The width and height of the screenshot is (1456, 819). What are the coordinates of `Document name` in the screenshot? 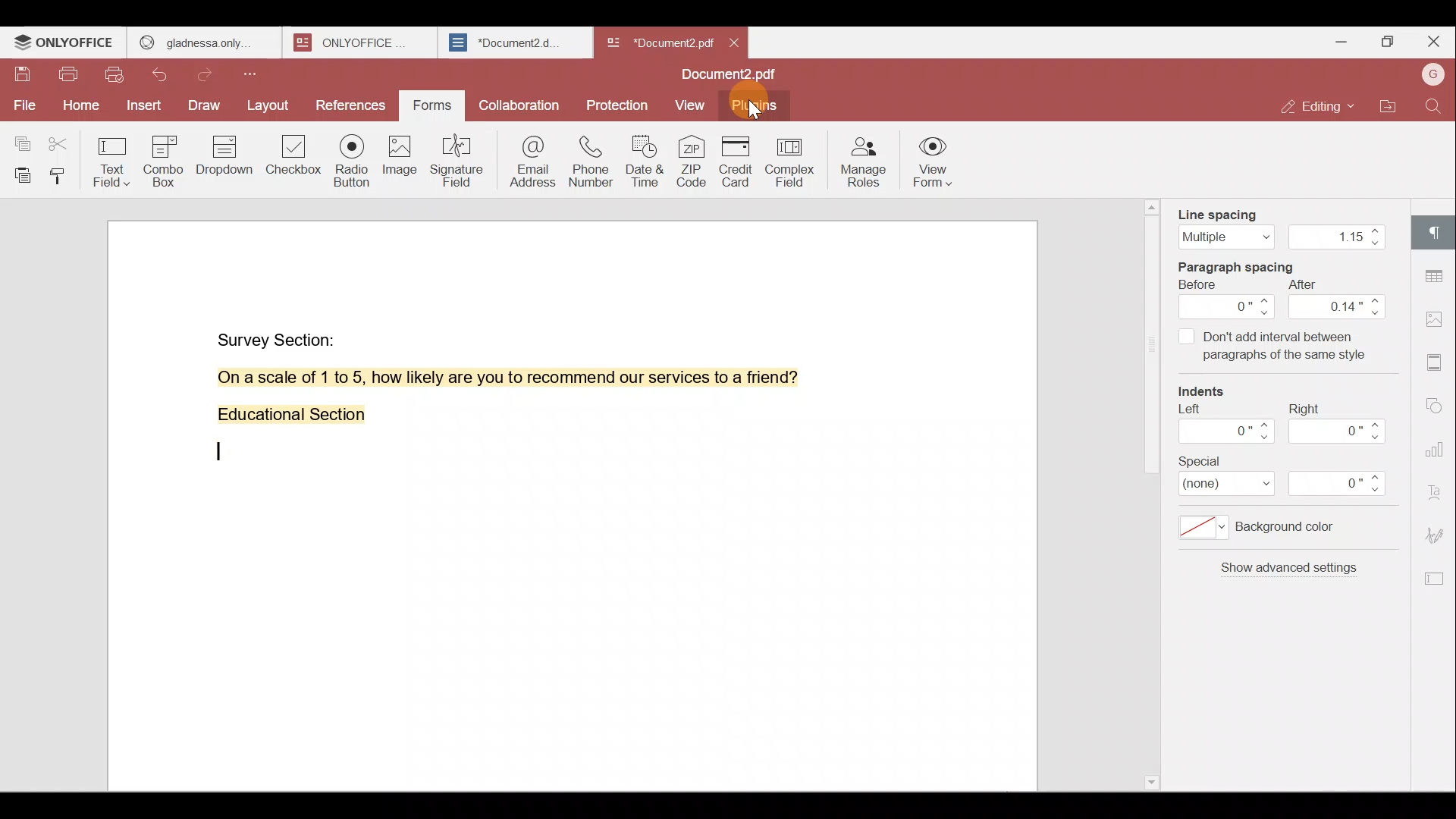 It's located at (733, 76).